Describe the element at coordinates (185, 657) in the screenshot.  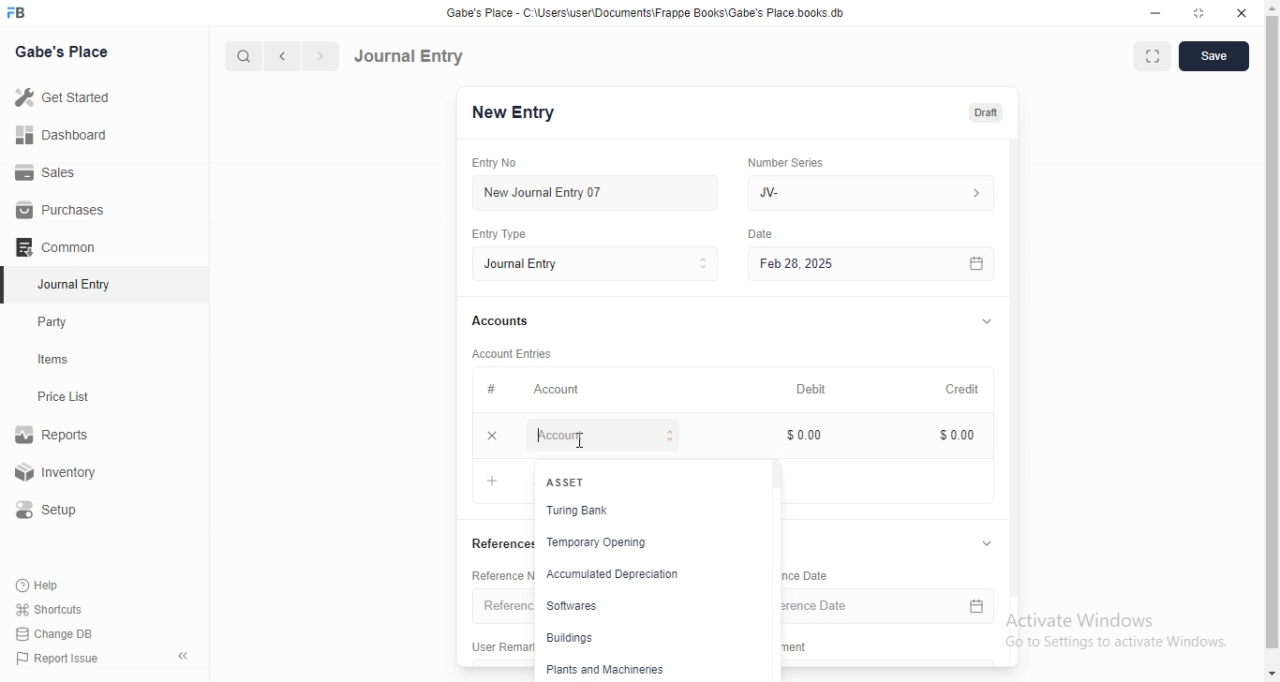
I see `«` at that location.